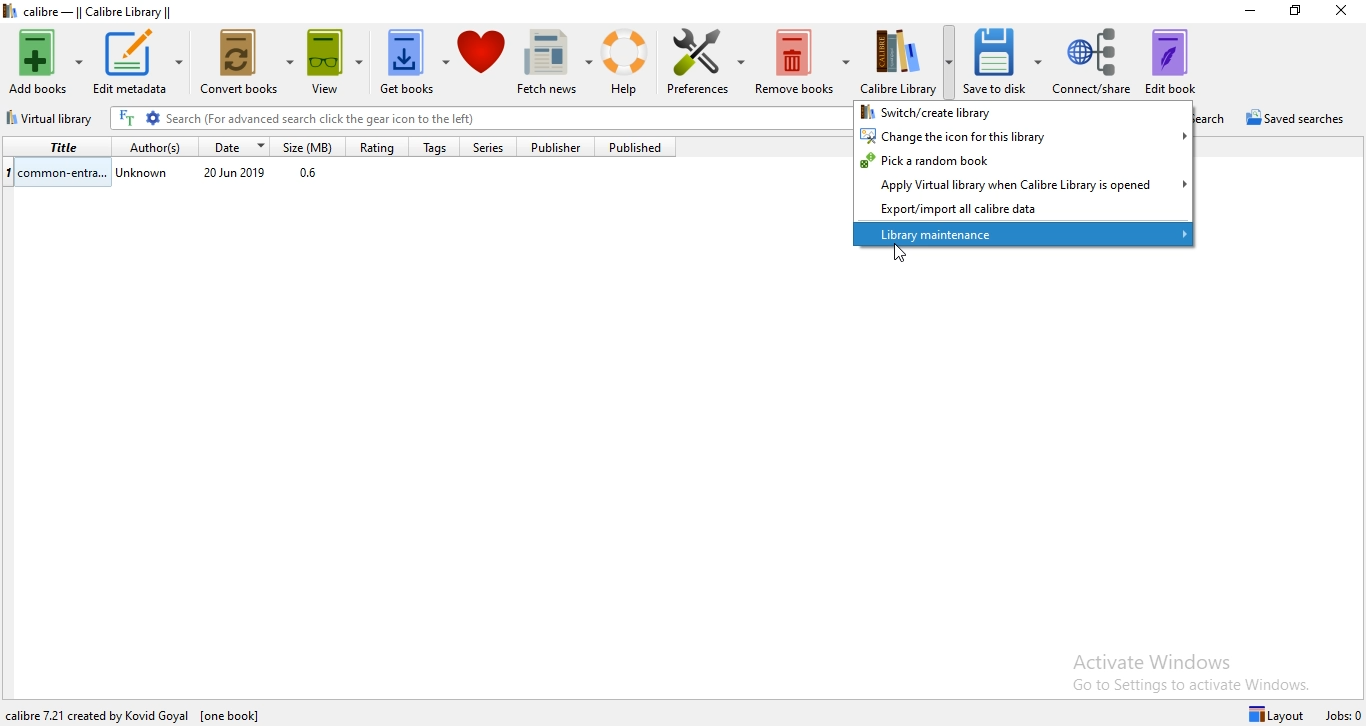  What do you see at coordinates (1280, 713) in the screenshot?
I see `Layout` at bounding box center [1280, 713].